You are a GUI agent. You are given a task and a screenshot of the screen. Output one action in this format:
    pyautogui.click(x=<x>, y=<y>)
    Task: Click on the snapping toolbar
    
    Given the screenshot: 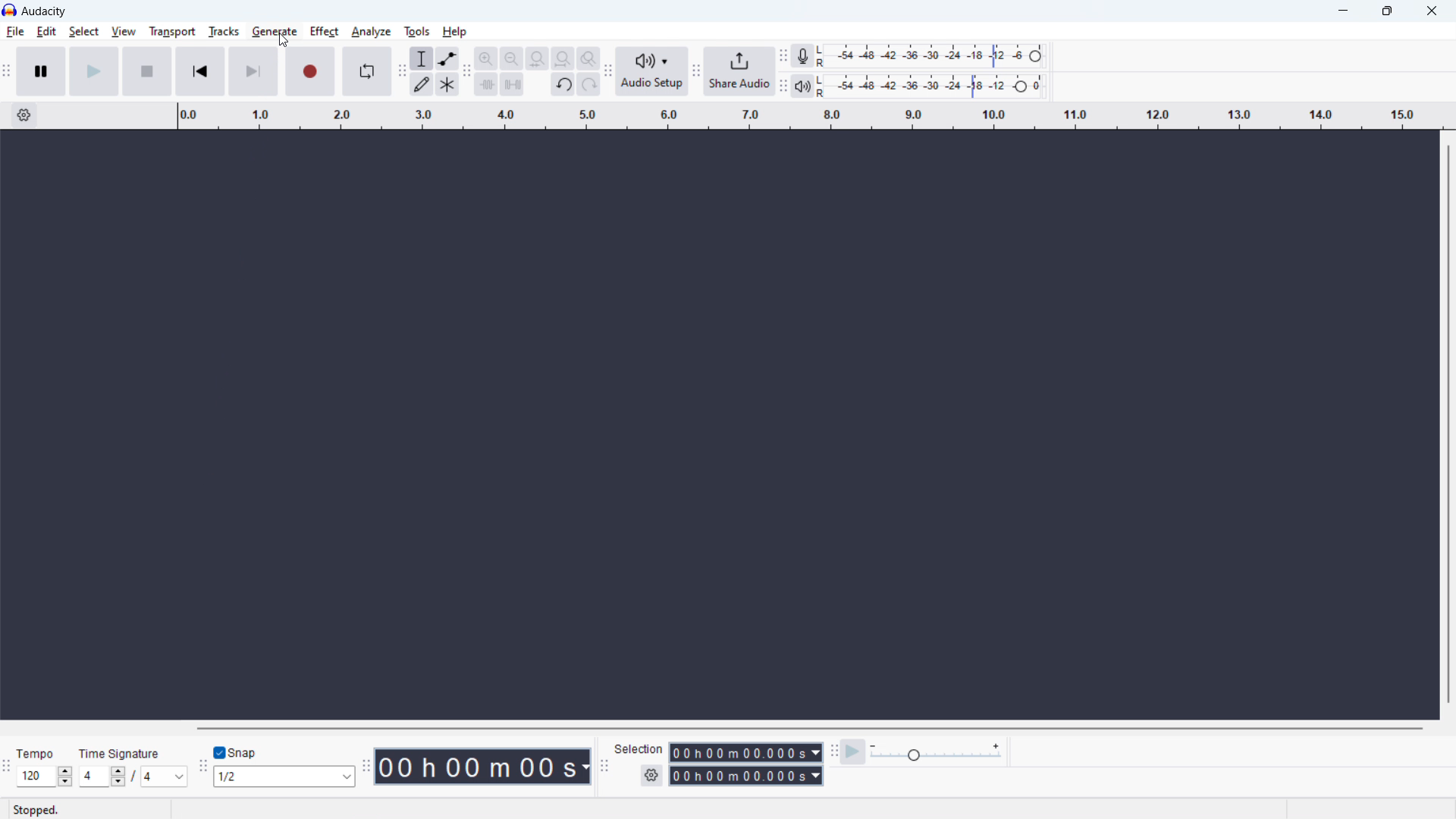 What is the action you would take?
    pyautogui.click(x=204, y=767)
    